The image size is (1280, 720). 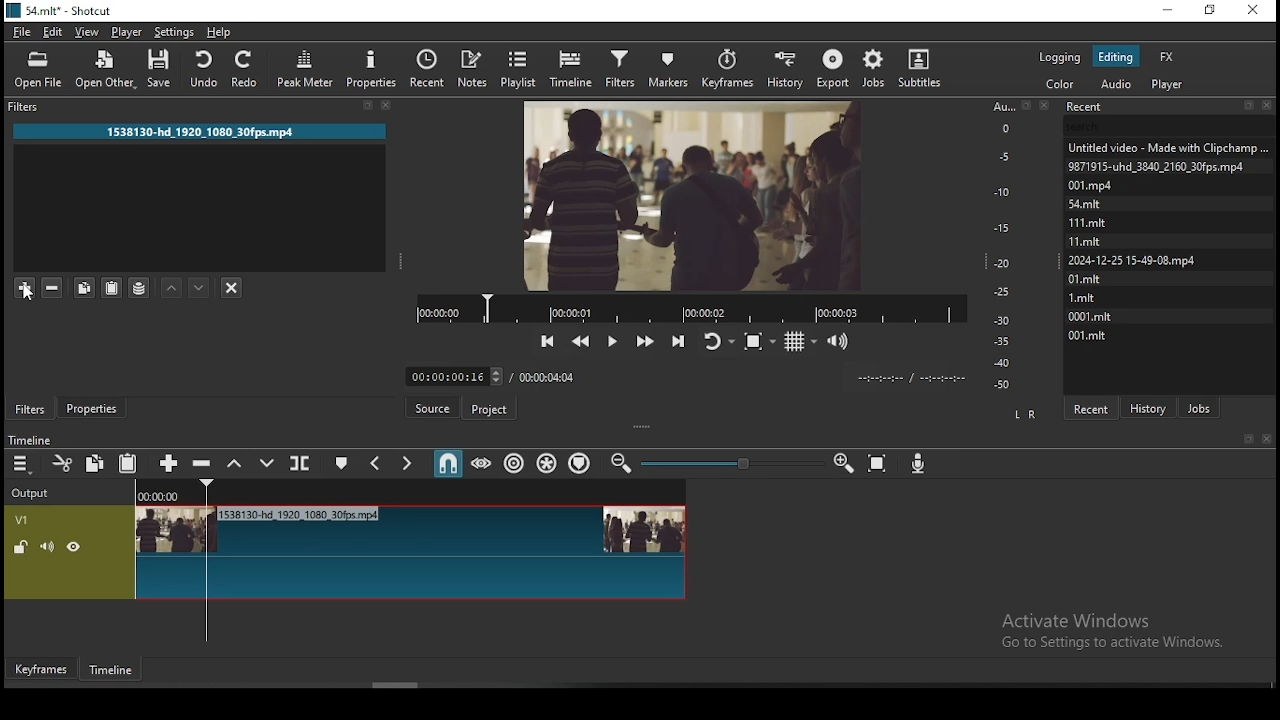 I want to click on cut, so click(x=58, y=465).